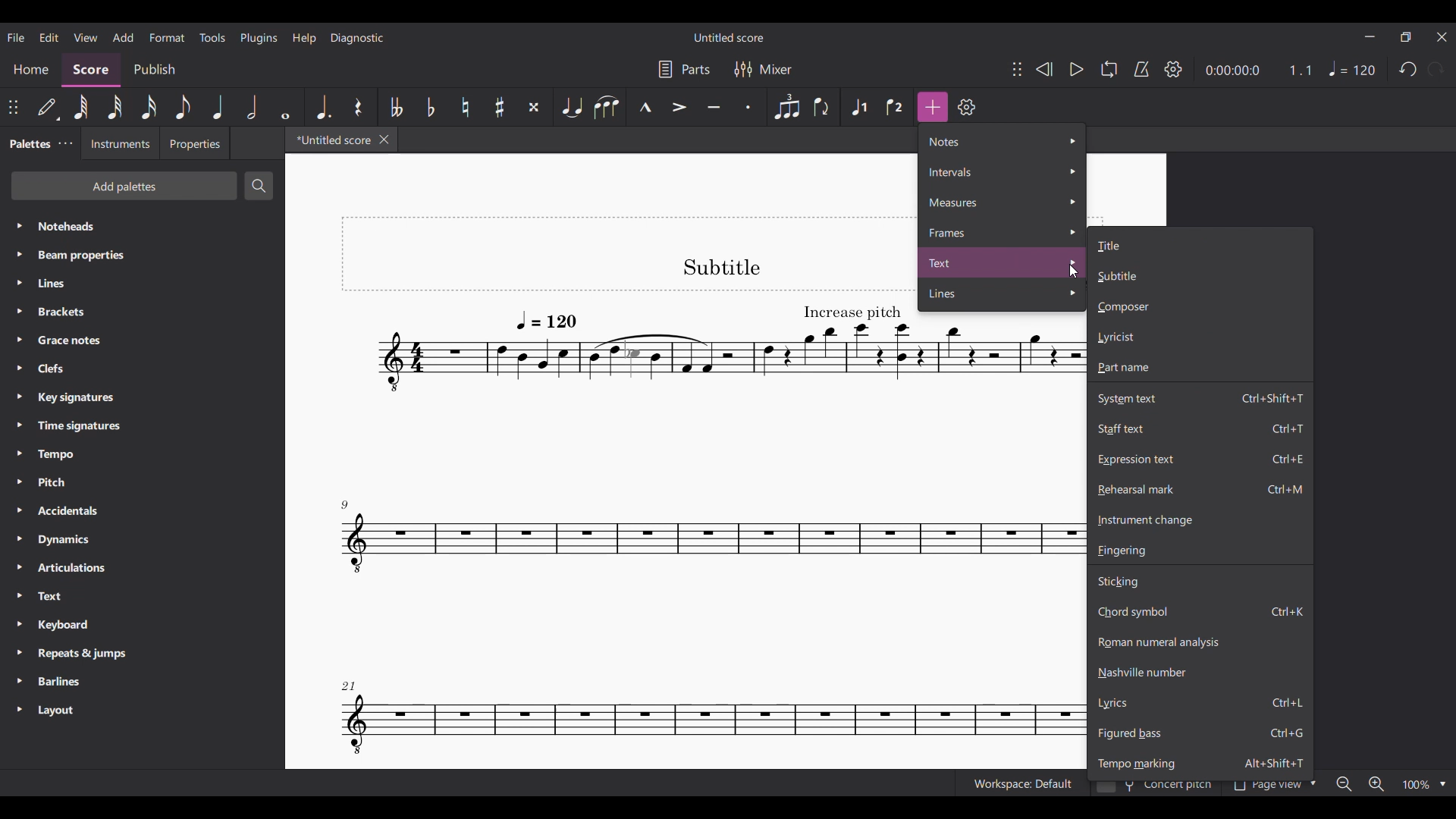 Image resolution: width=1456 pixels, height=819 pixels. I want to click on Change position, so click(1018, 69).